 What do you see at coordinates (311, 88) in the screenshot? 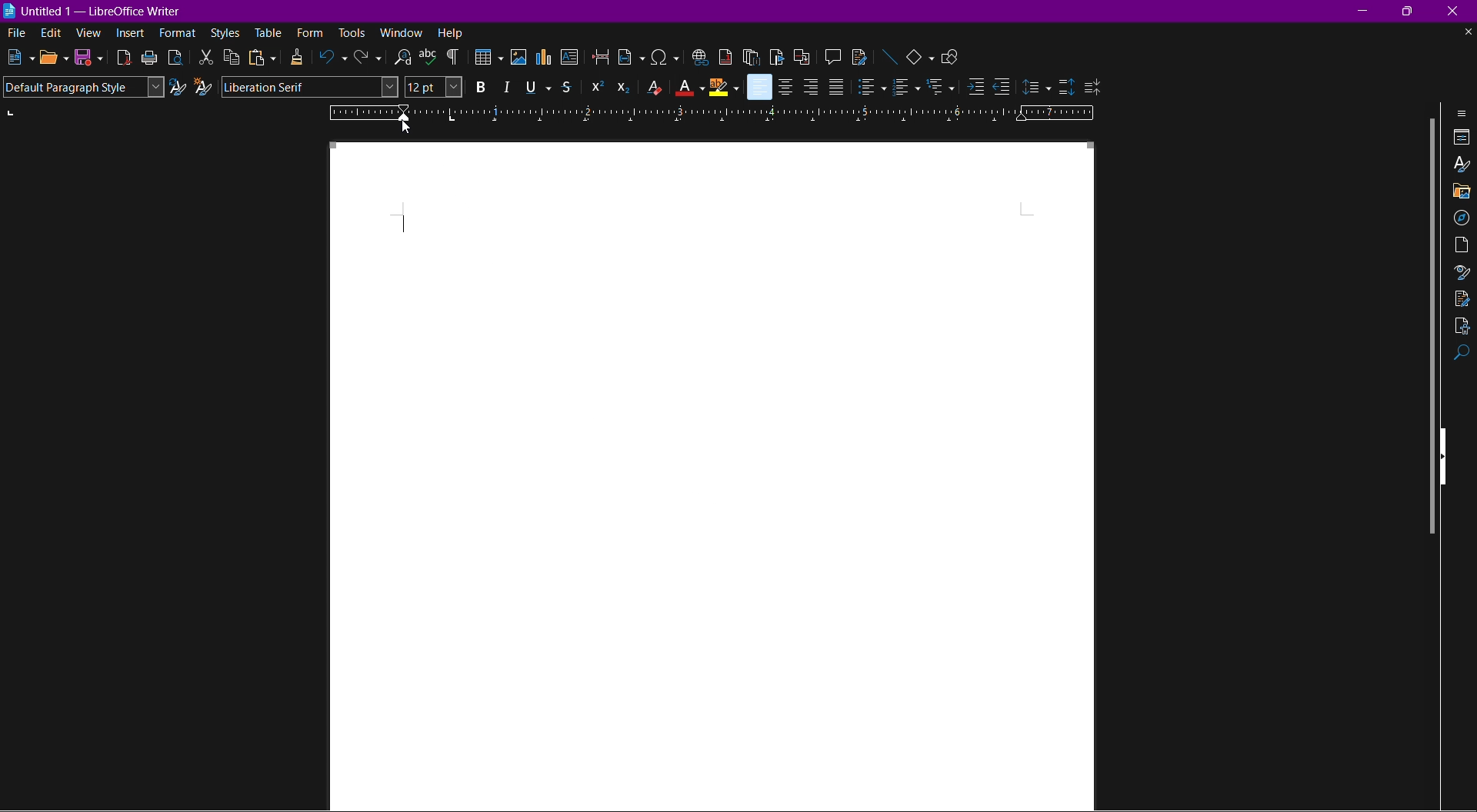
I see `Font` at bounding box center [311, 88].